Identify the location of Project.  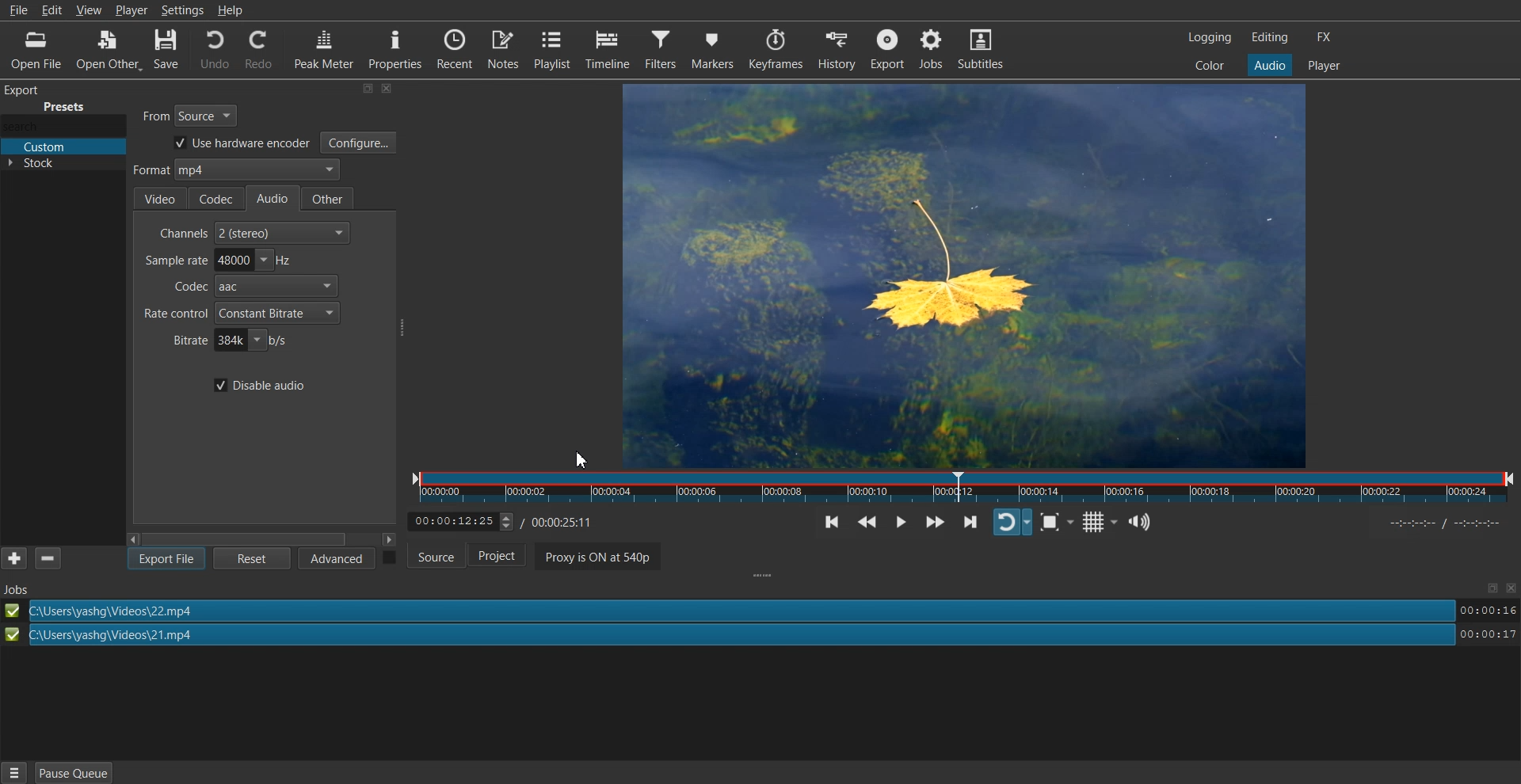
(497, 558).